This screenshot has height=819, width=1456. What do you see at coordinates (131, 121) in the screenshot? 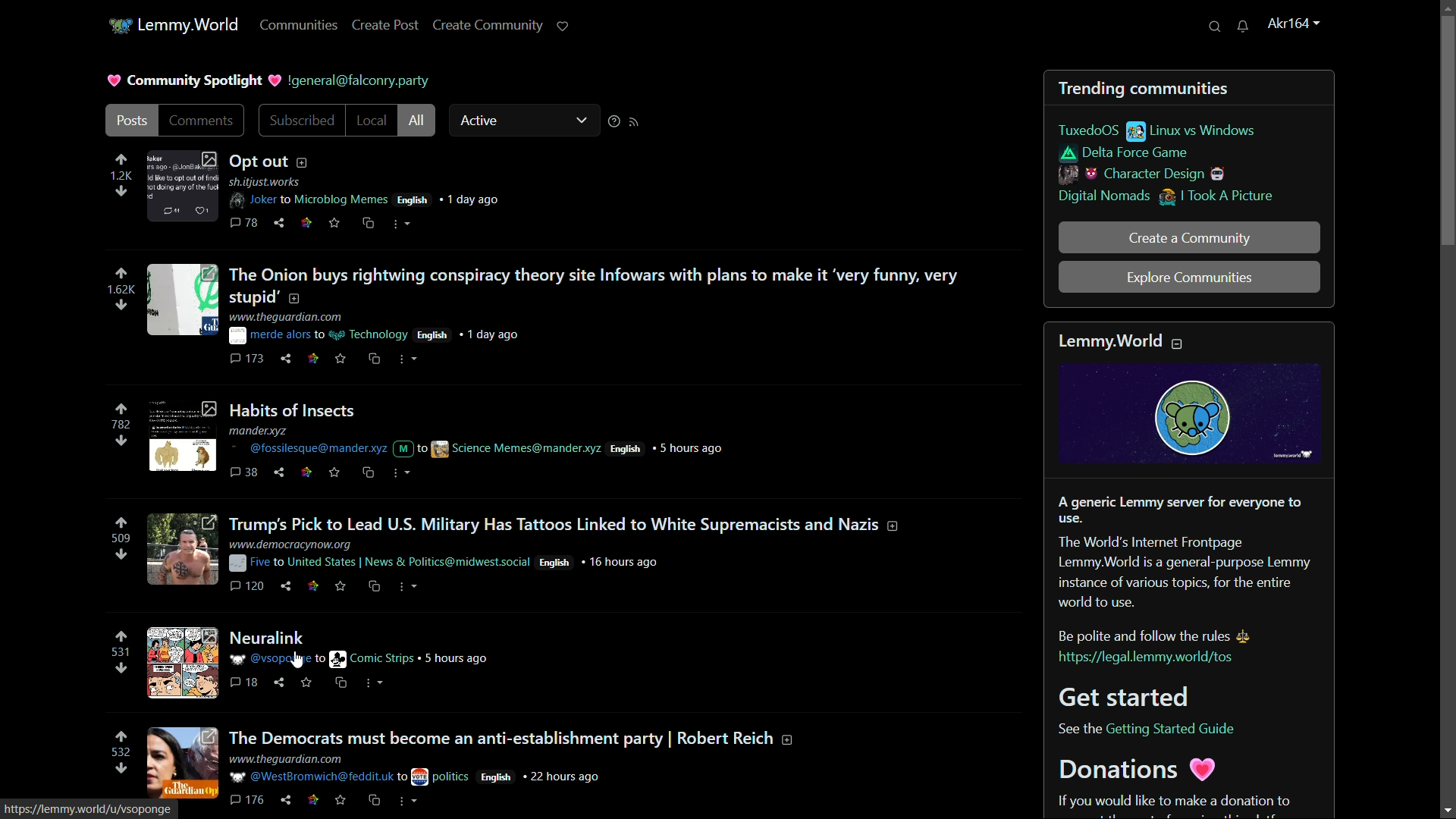
I see `posts` at bounding box center [131, 121].